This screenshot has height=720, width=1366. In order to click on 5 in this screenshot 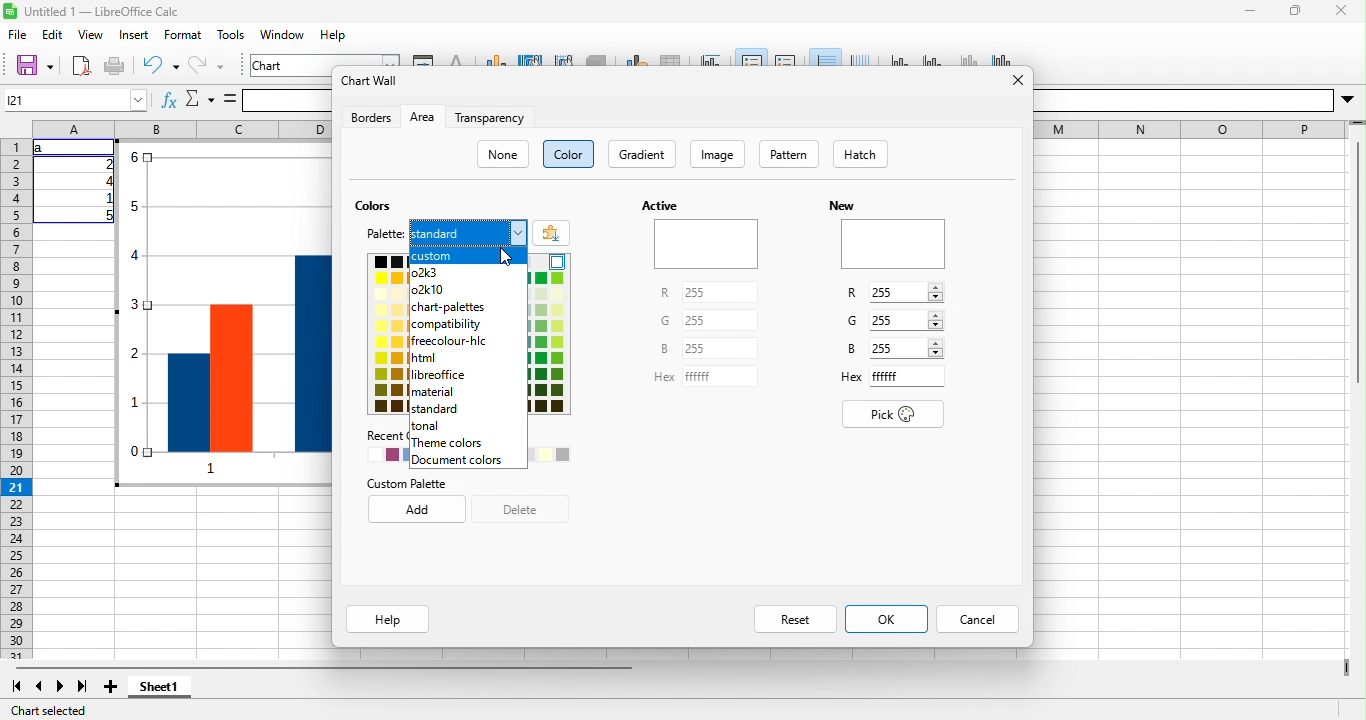, I will do `click(106, 215)`.